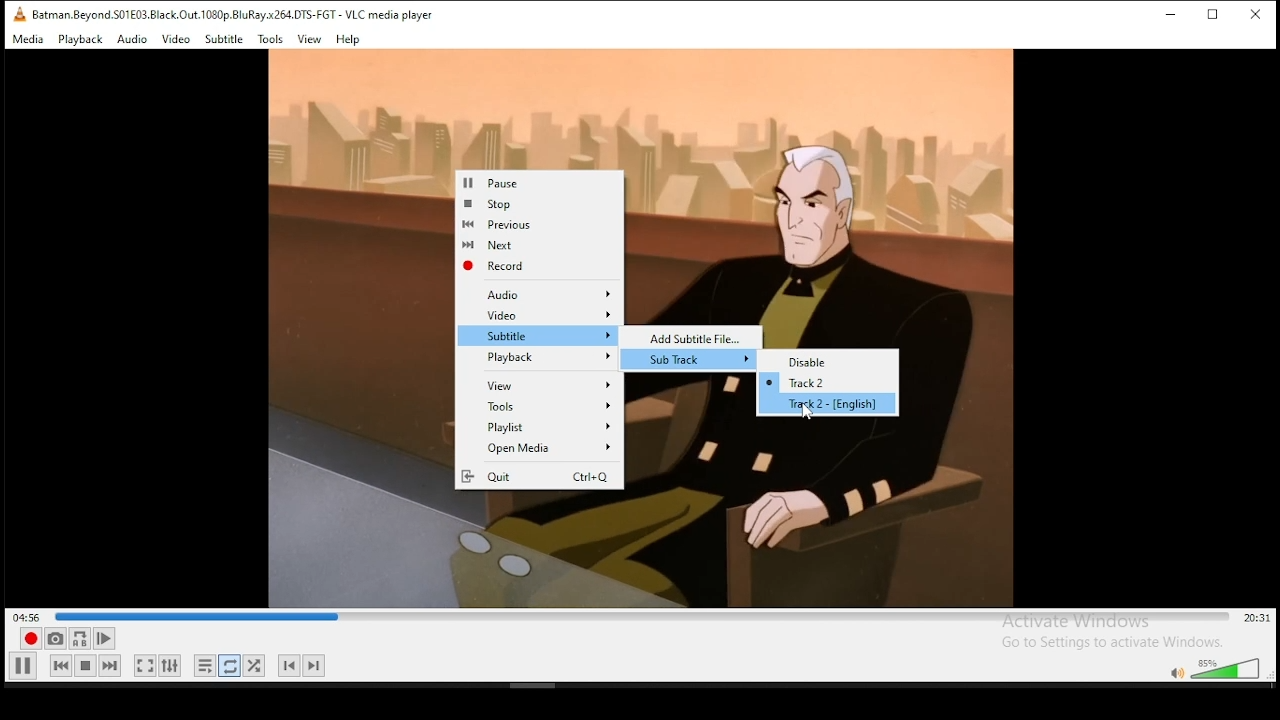  I want to click on Quit, so click(538, 477).